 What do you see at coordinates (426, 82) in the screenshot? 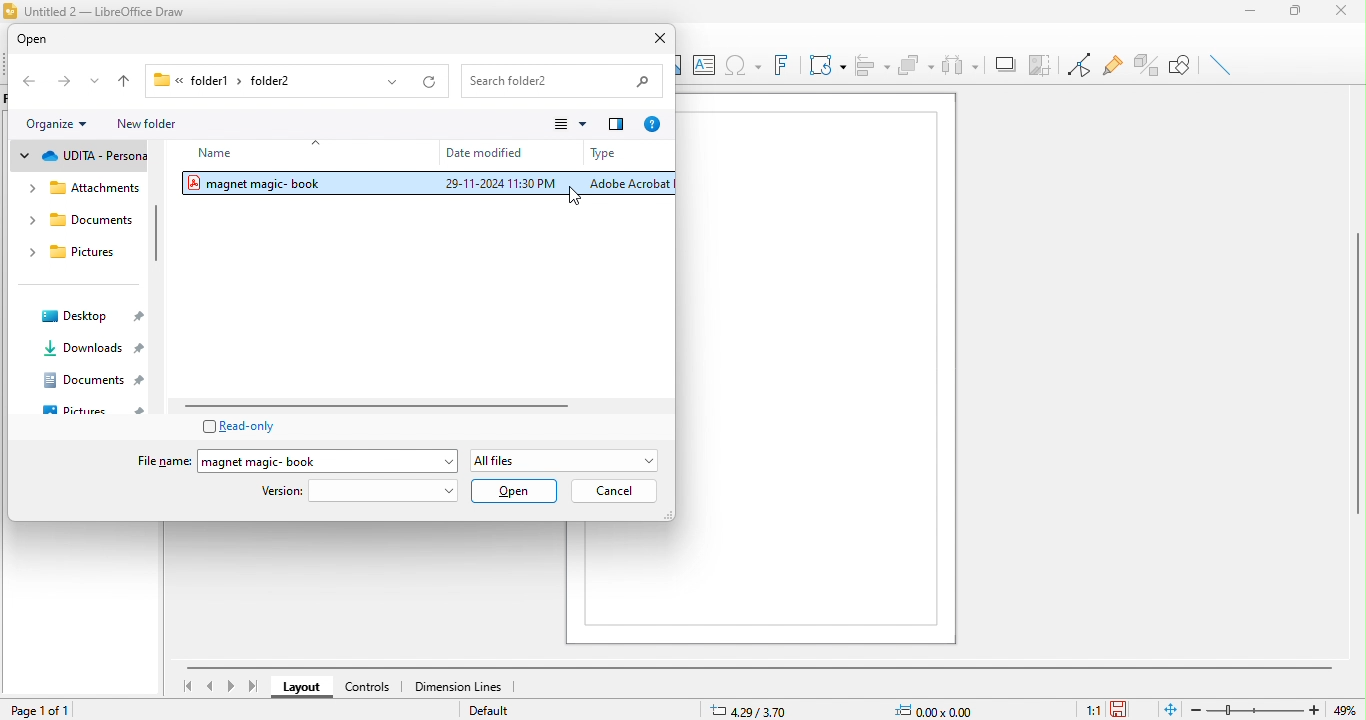
I see `refresh` at bounding box center [426, 82].